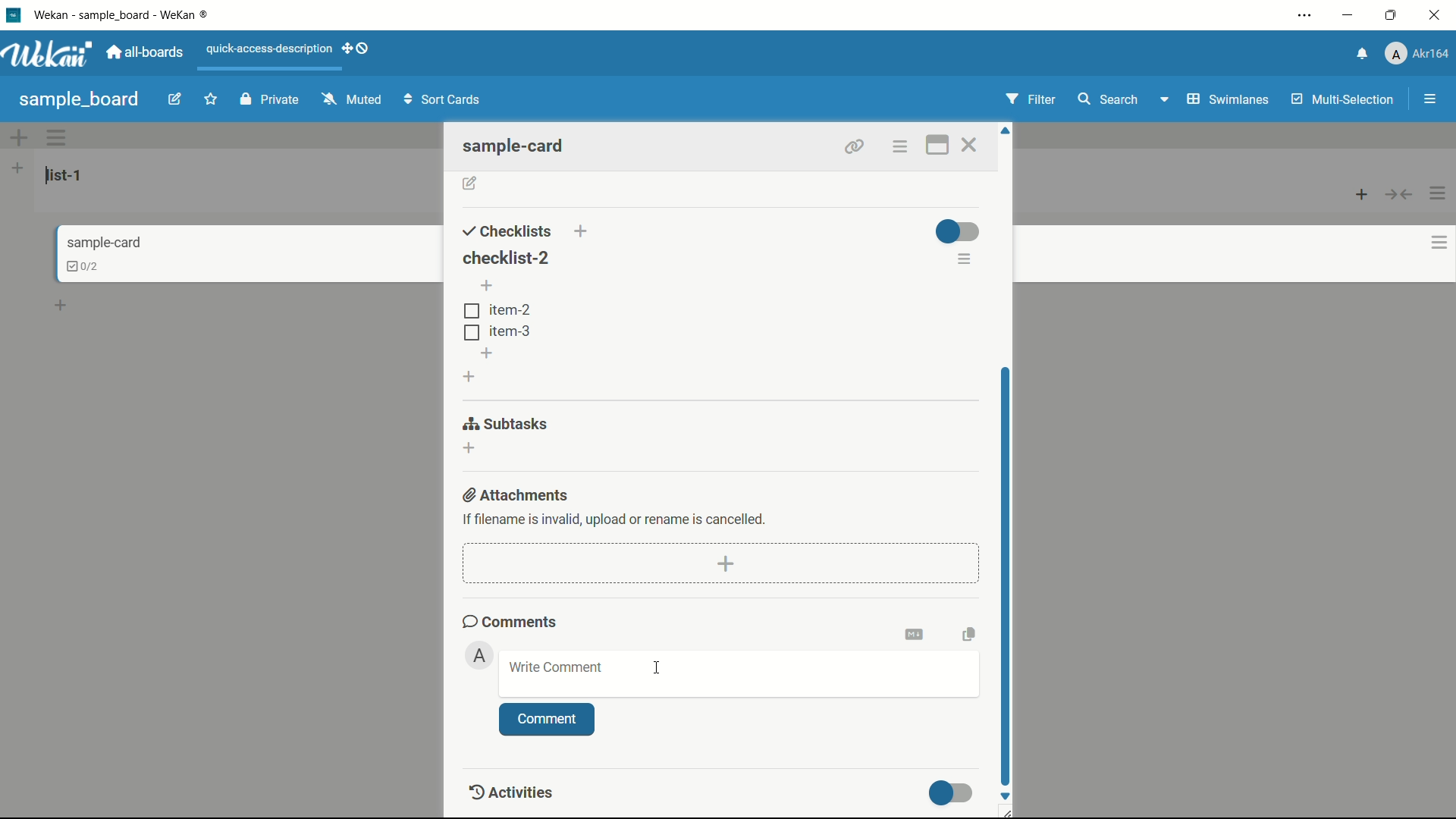  Describe the element at coordinates (350, 100) in the screenshot. I see `muted` at that location.